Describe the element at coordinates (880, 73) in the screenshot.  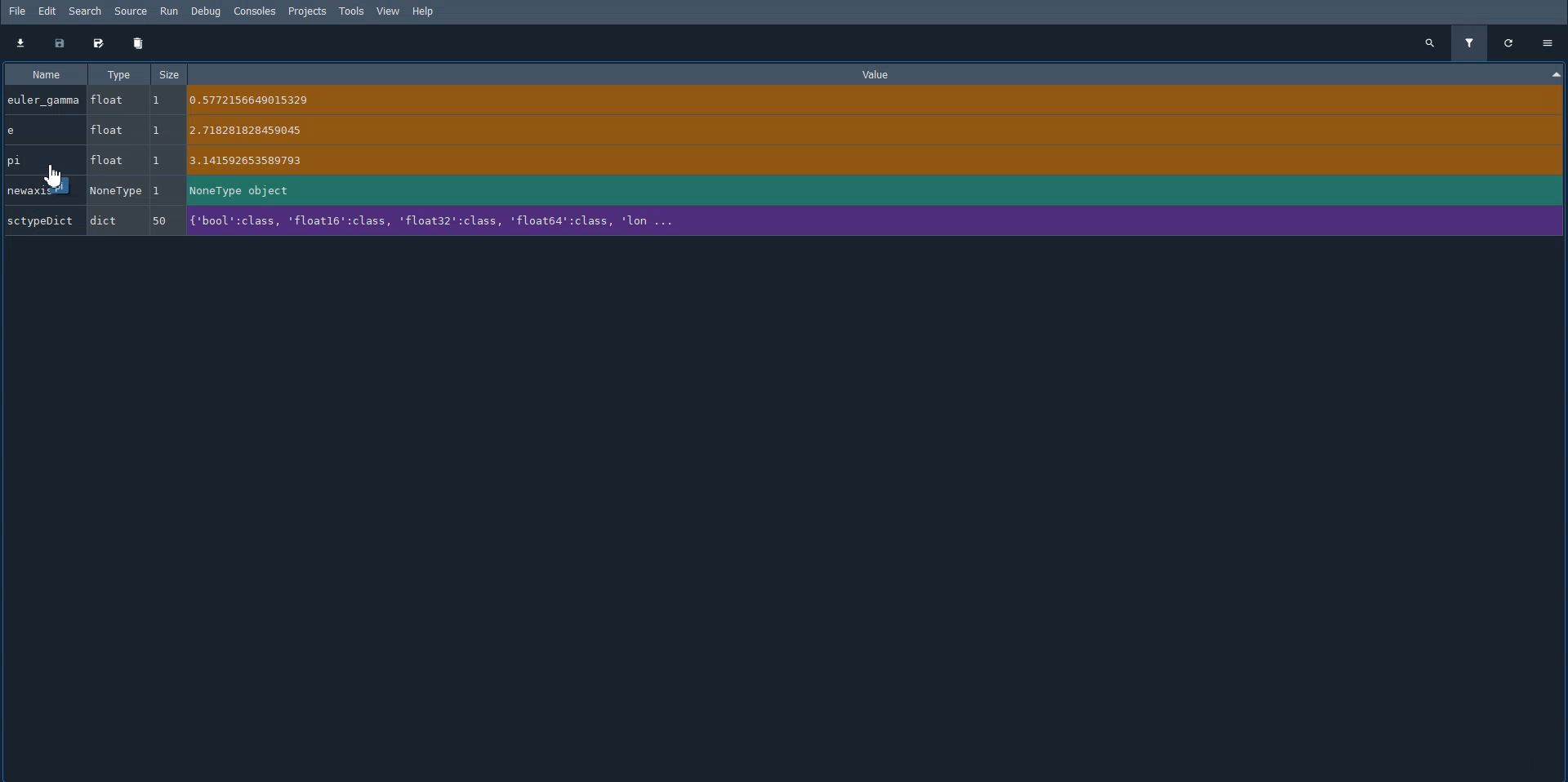
I see `Value` at that location.